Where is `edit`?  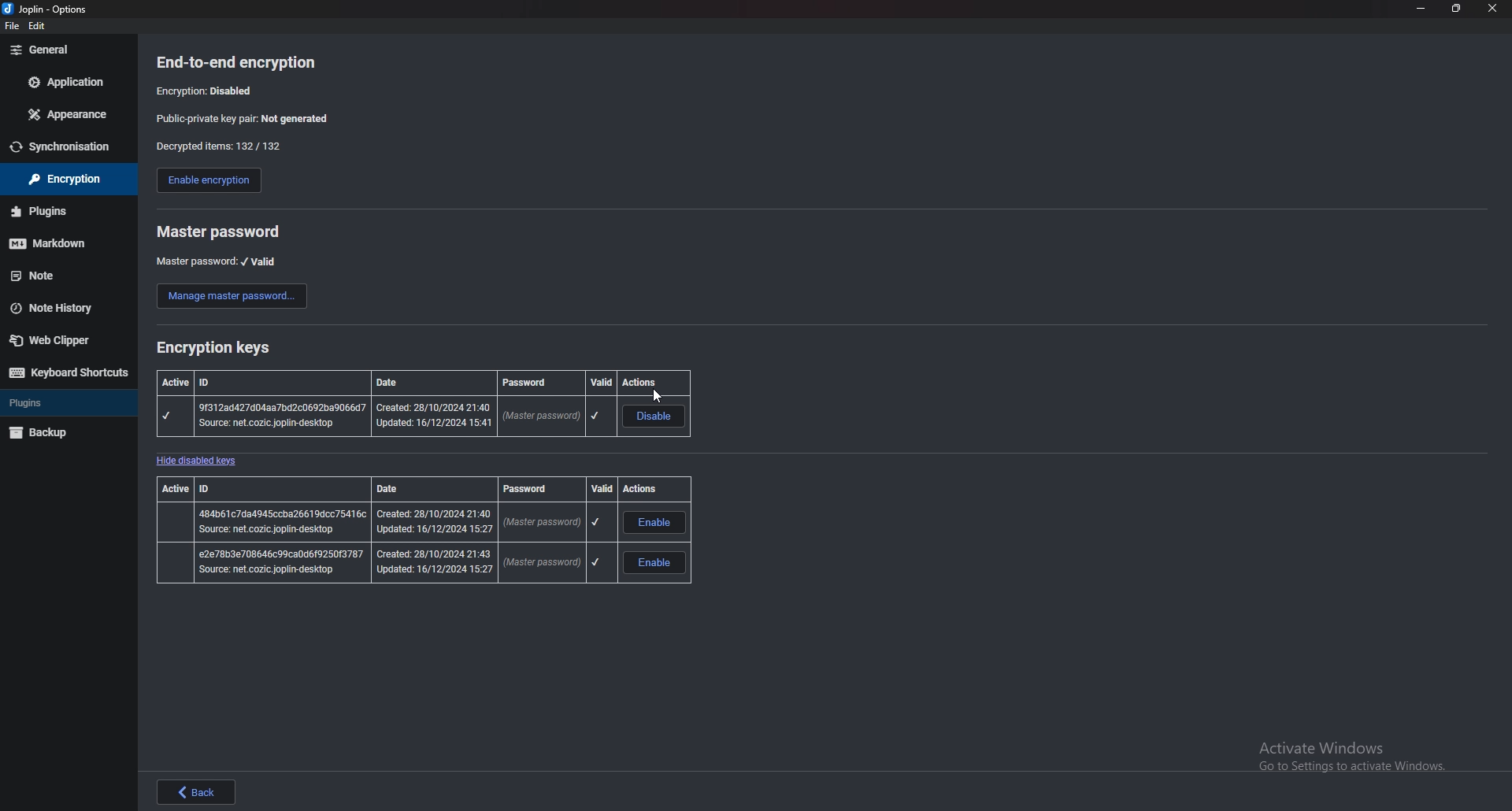
edit is located at coordinates (39, 24).